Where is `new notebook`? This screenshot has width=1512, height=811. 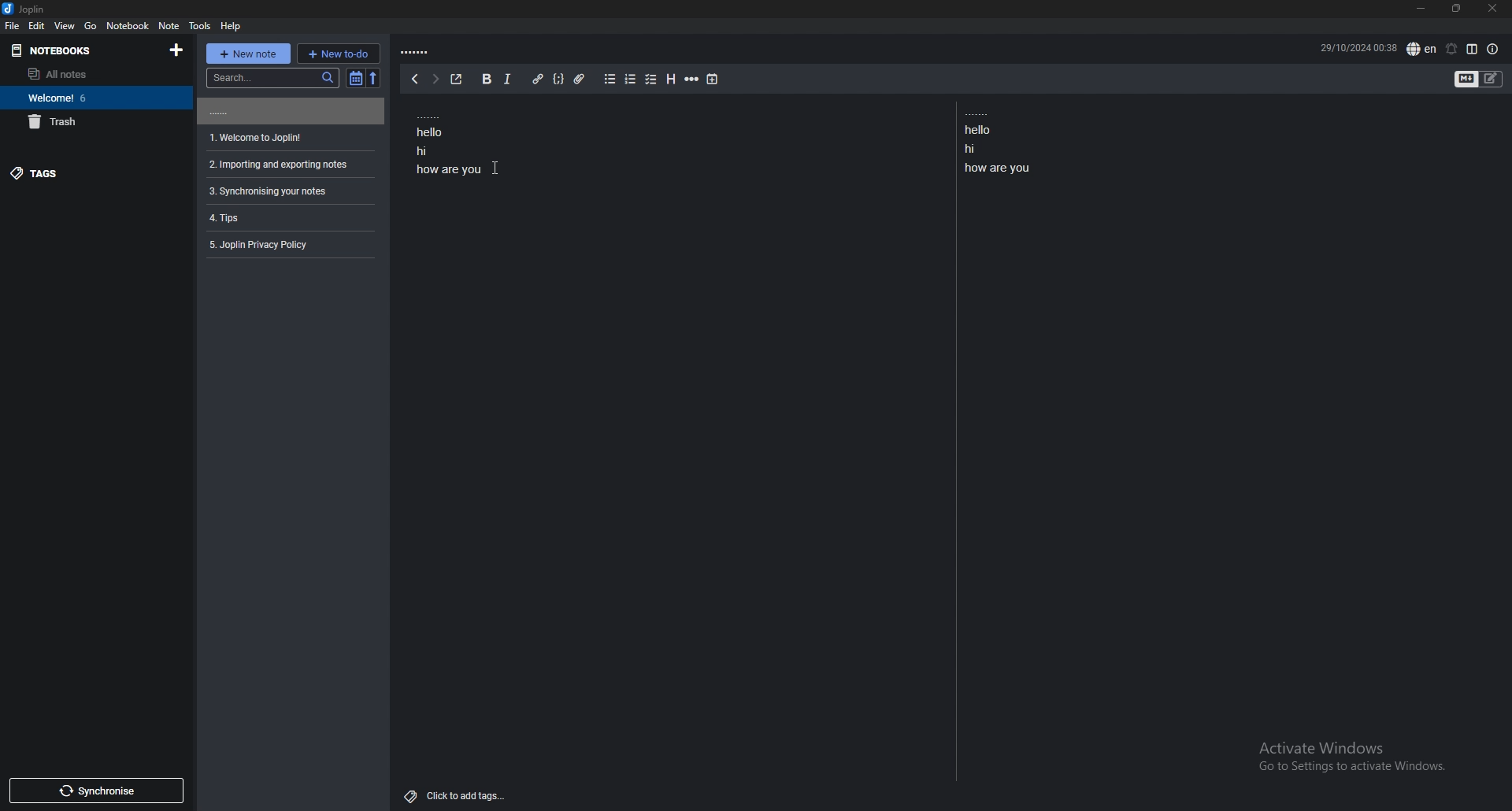
new notebook is located at coordinates (178, 50).